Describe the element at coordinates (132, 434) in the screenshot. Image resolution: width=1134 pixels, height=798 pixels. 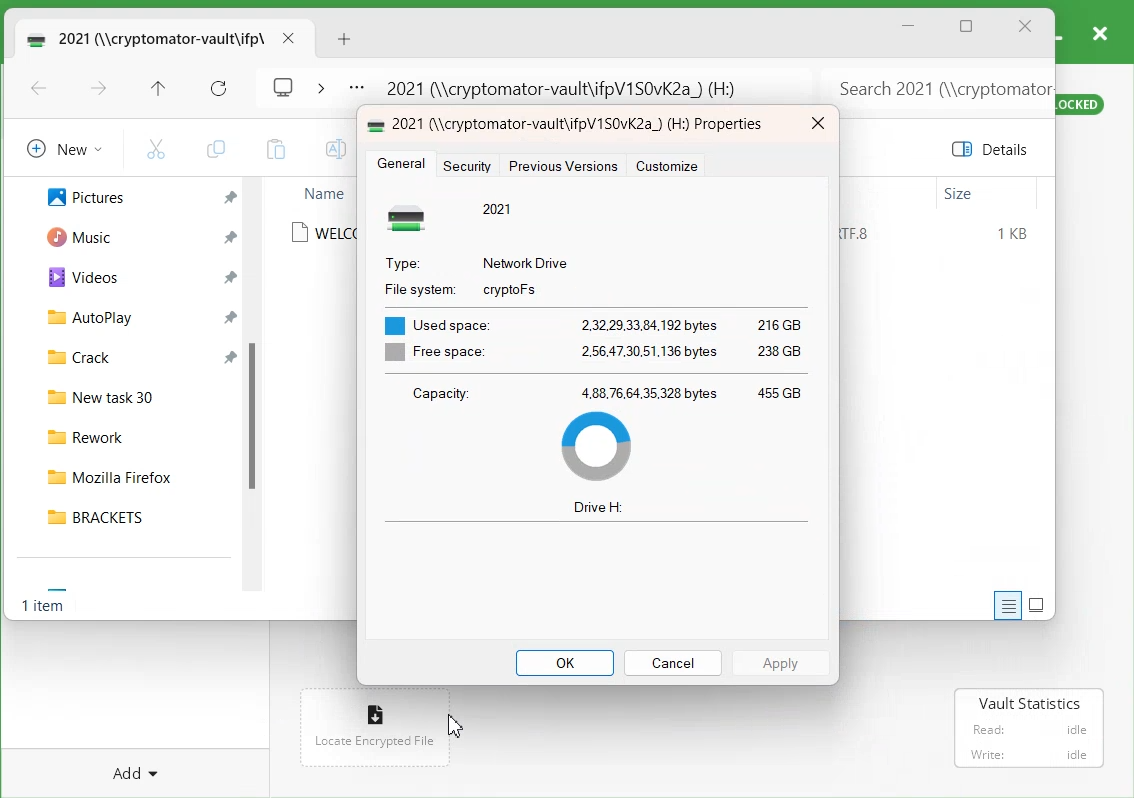
I see `Rework` at that location.